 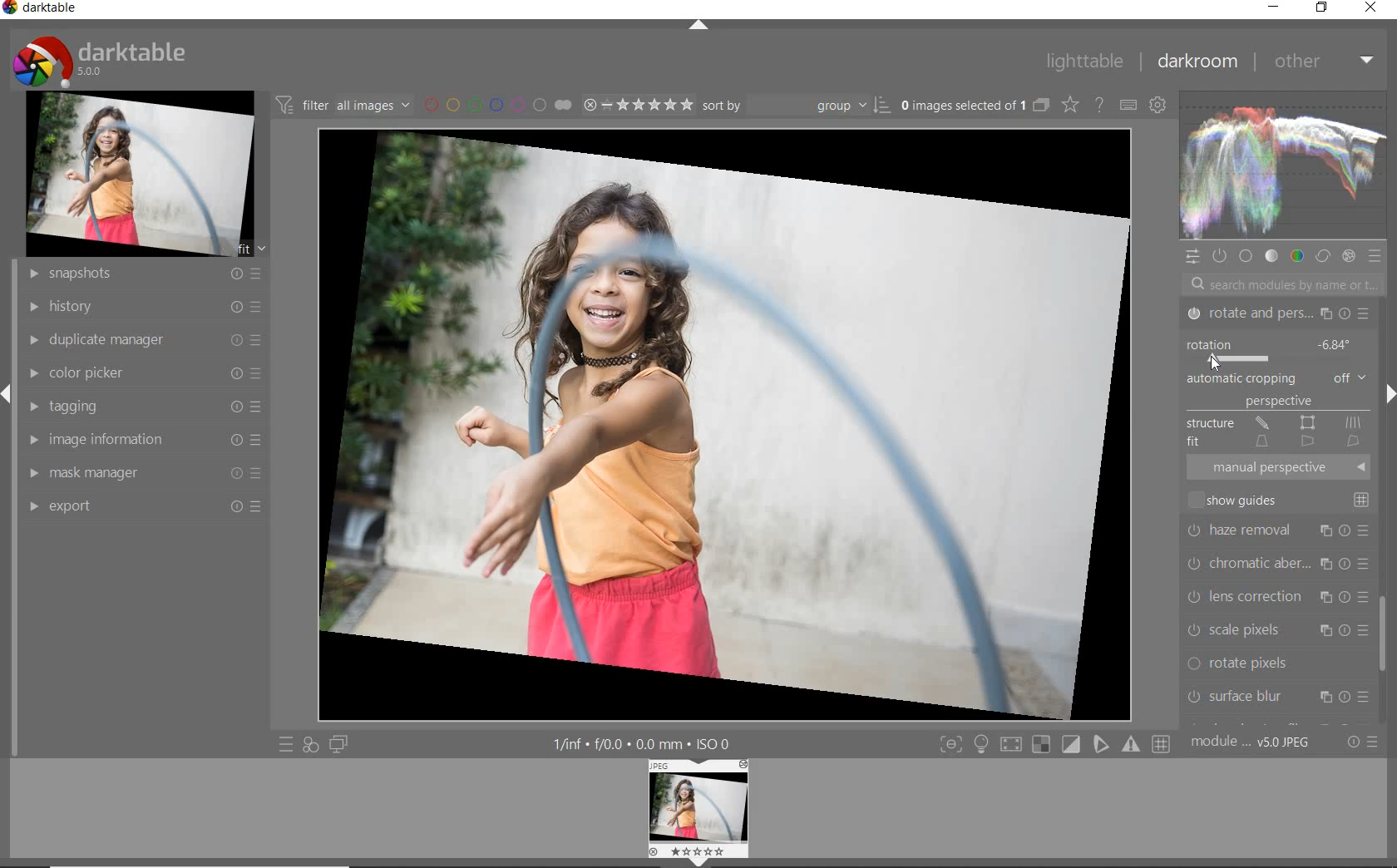 What do you see at coordinates (1278, 698) in the screenshot?
I see `surface blur` at bounding box center [1278, 698].